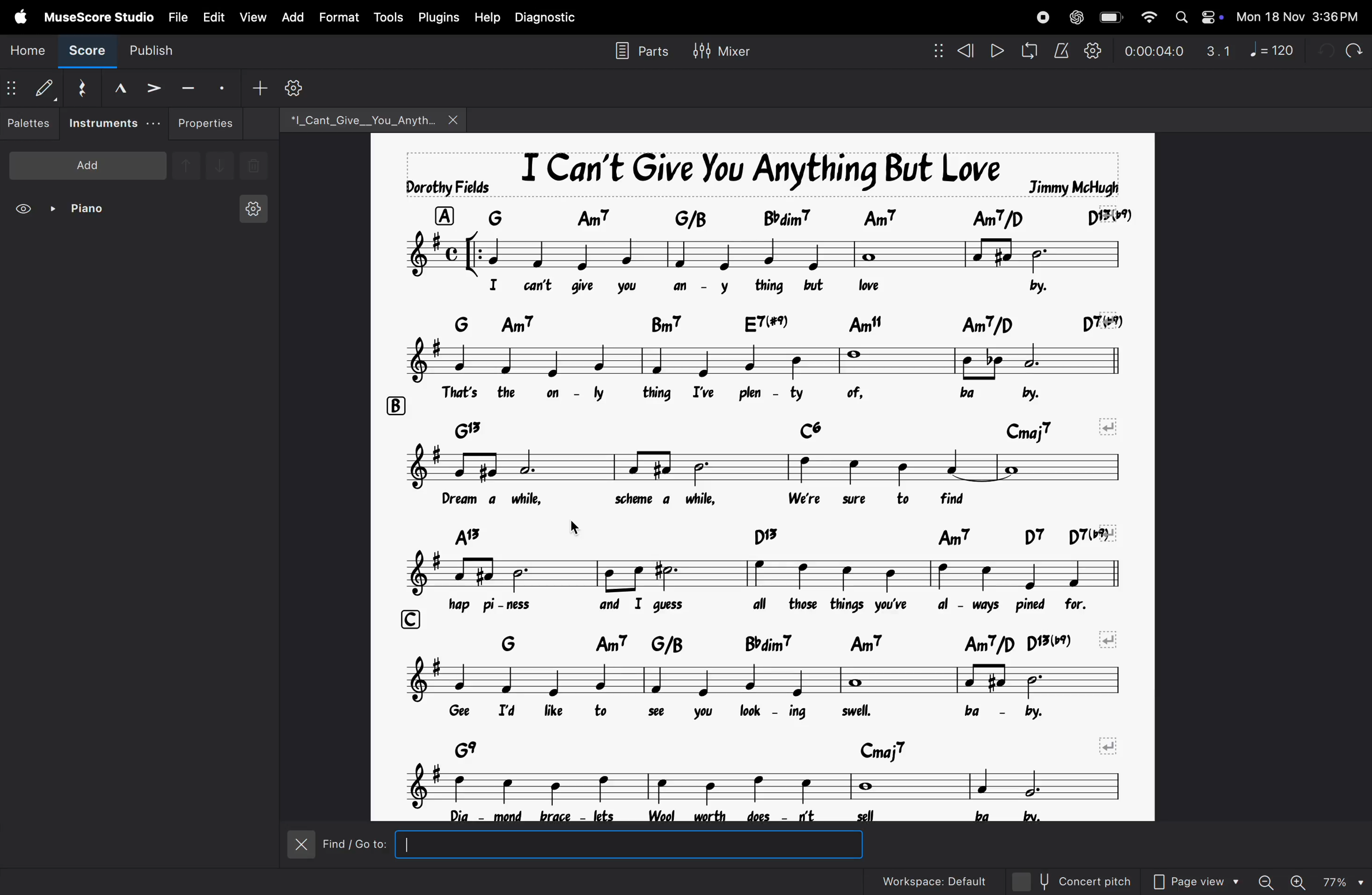 The image size is (1372, 895). What do you see at coordinates (485, 16) in the screenshot?
I see `help` at bounding box center [485, 16].